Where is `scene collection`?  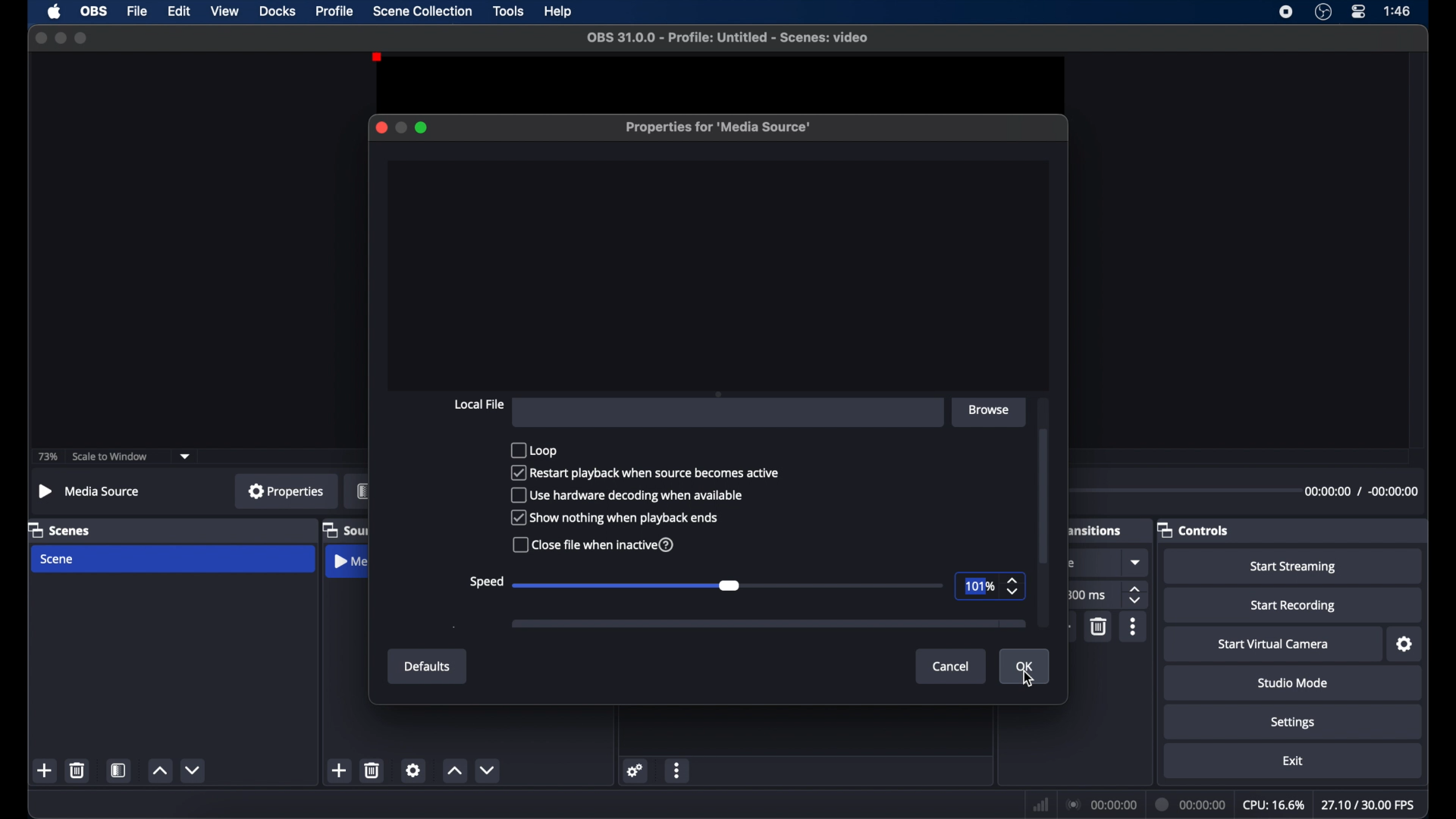 scene collection is located at coordinates (424, 11).